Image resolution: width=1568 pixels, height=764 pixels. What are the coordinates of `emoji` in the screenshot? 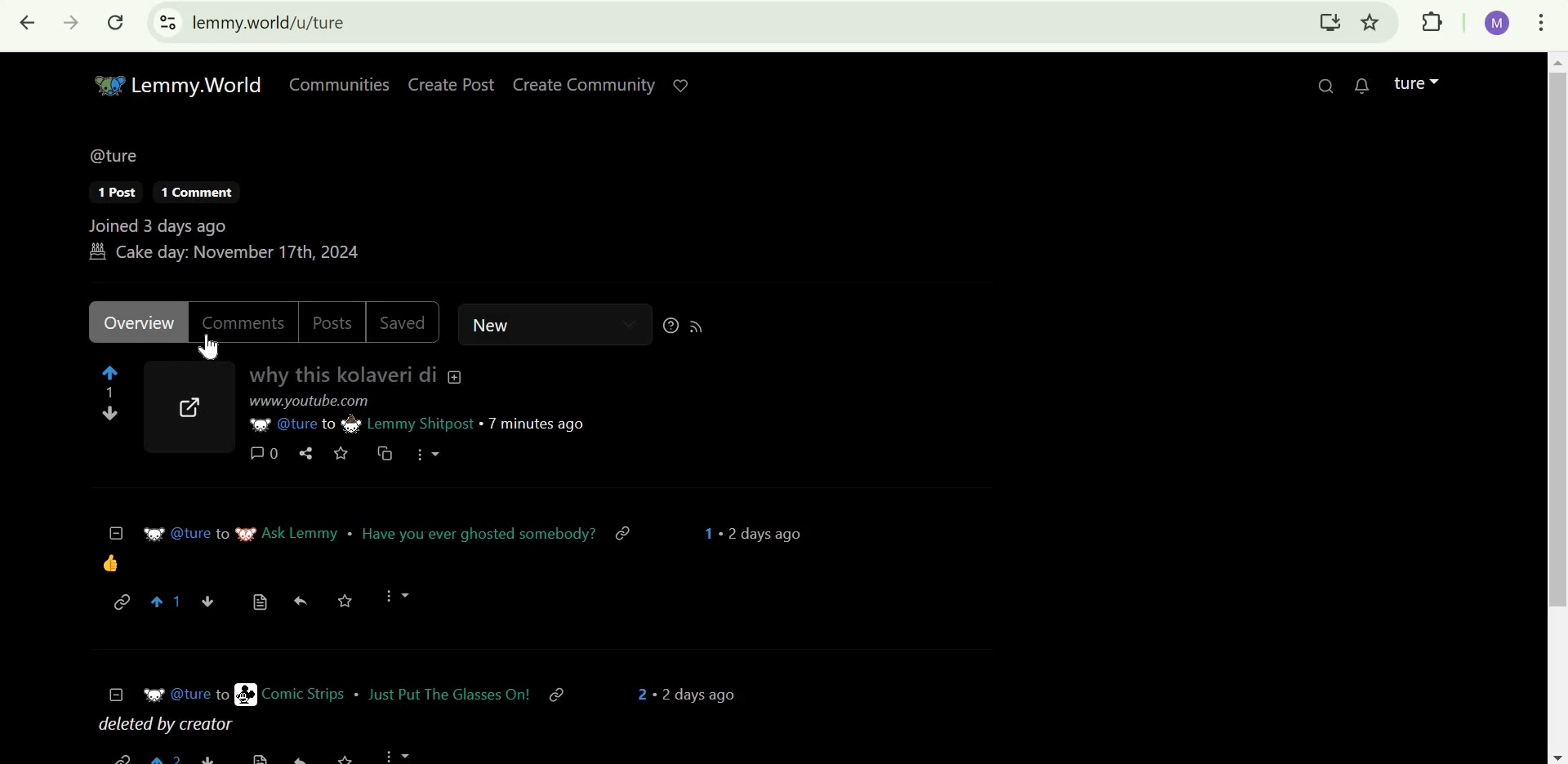 It's located at (112, 562).